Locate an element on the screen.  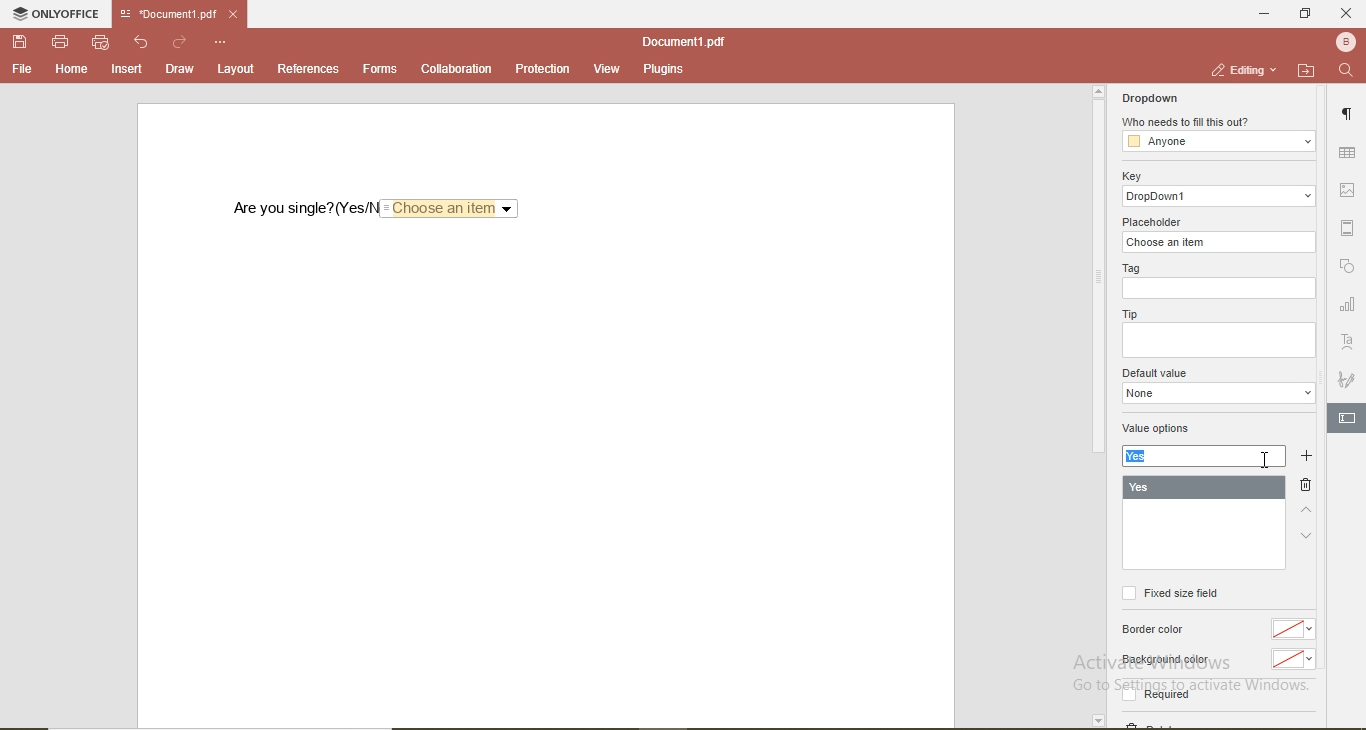
layout is located at coordinates (233, 69).